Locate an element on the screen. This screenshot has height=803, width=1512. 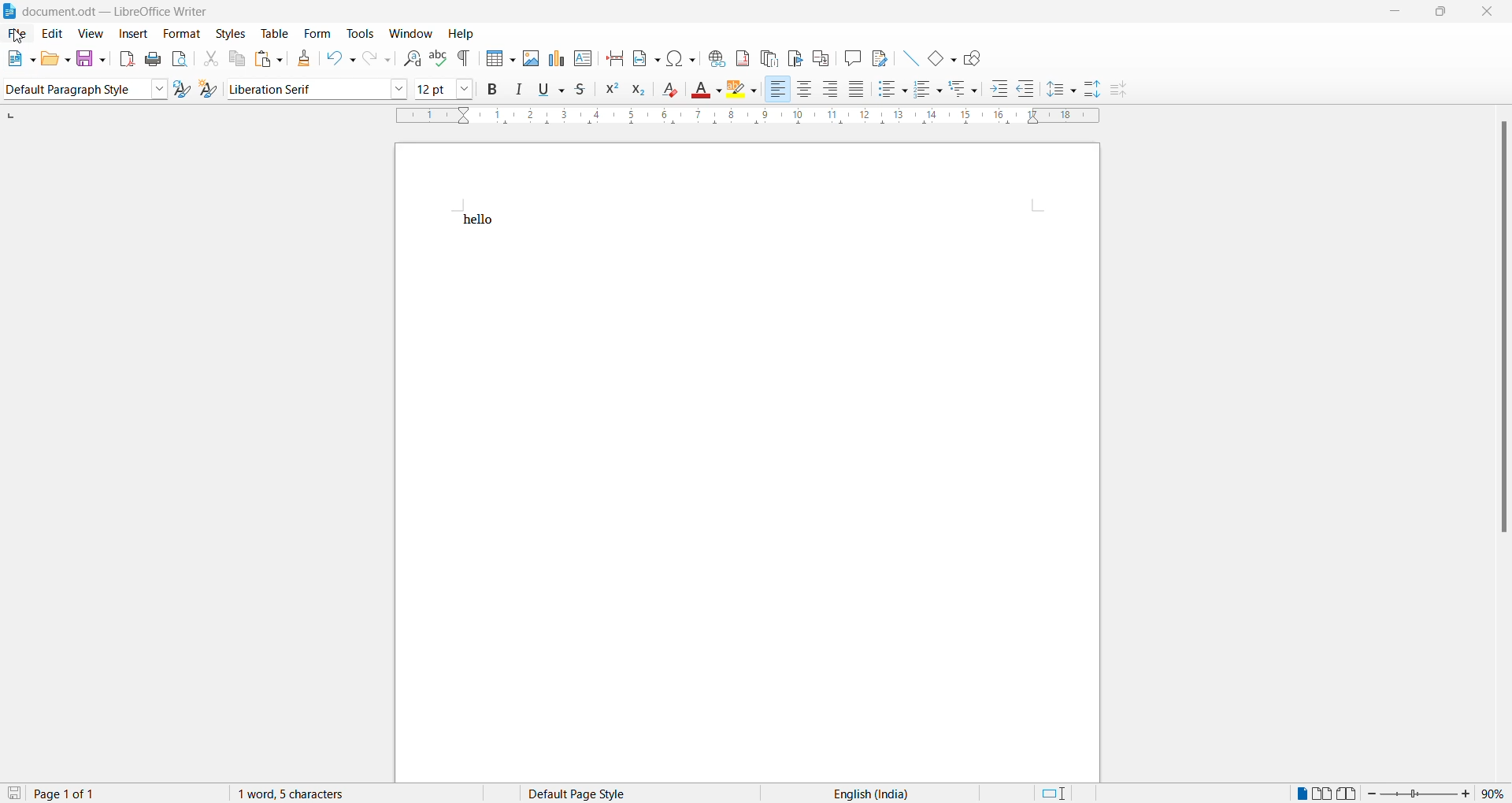
Export as PDF is located at coordinates (122, 61).